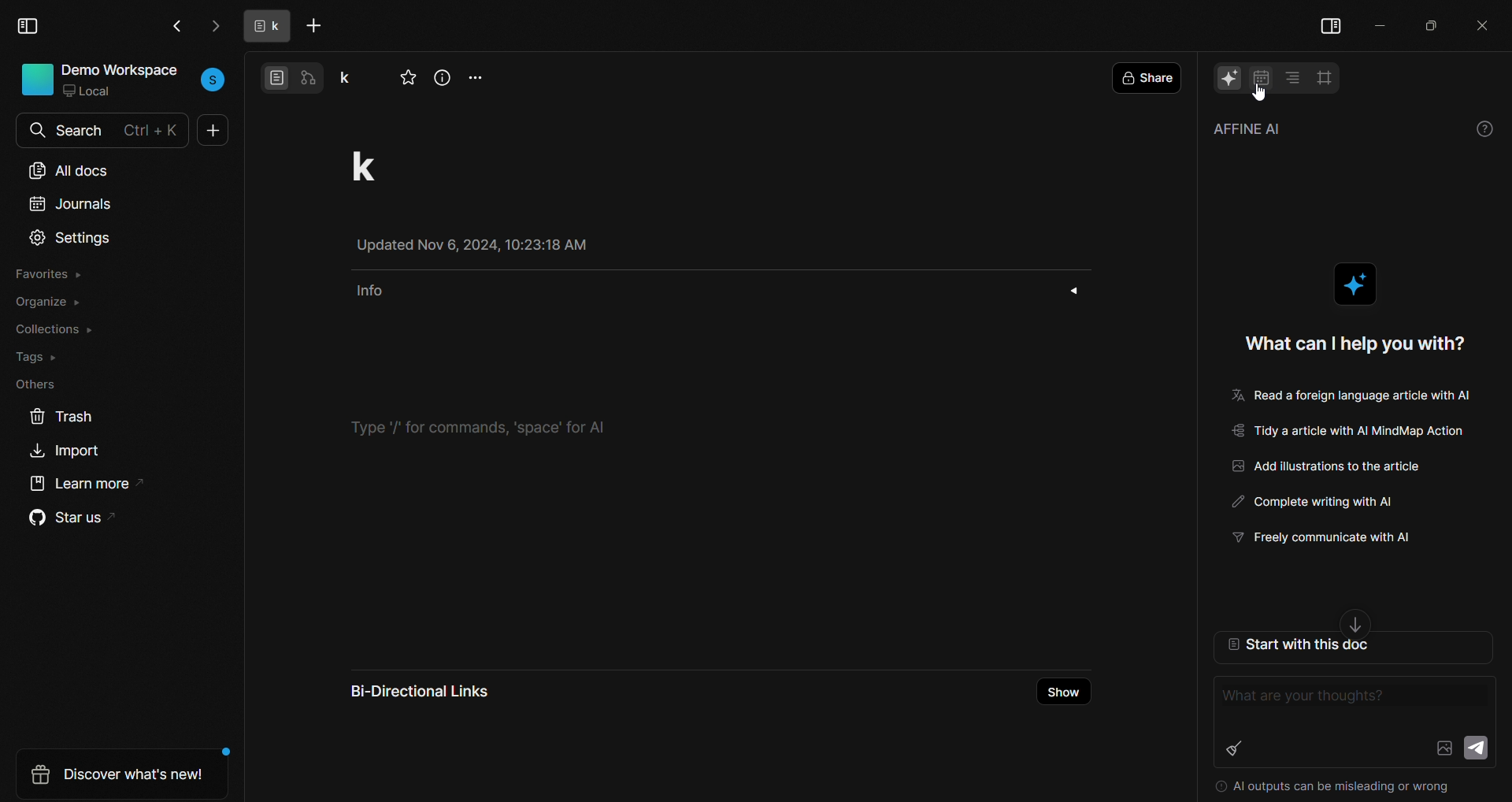 This screenshot has width=1512, height=802. I want to click on read a foreign language article with ai, so click(1350, 395).